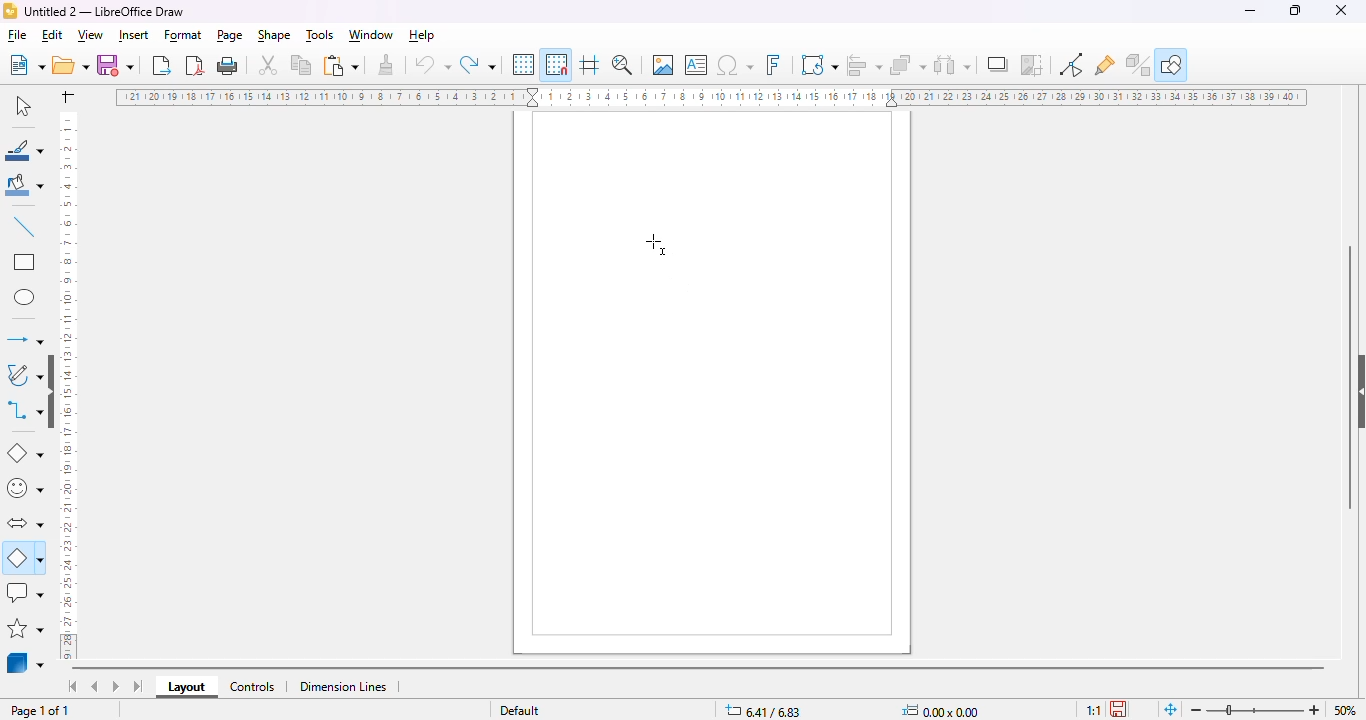  What do you see at coordinates (423, 37) in the screenshot?
I see `help` at bounding box center [423, 37].